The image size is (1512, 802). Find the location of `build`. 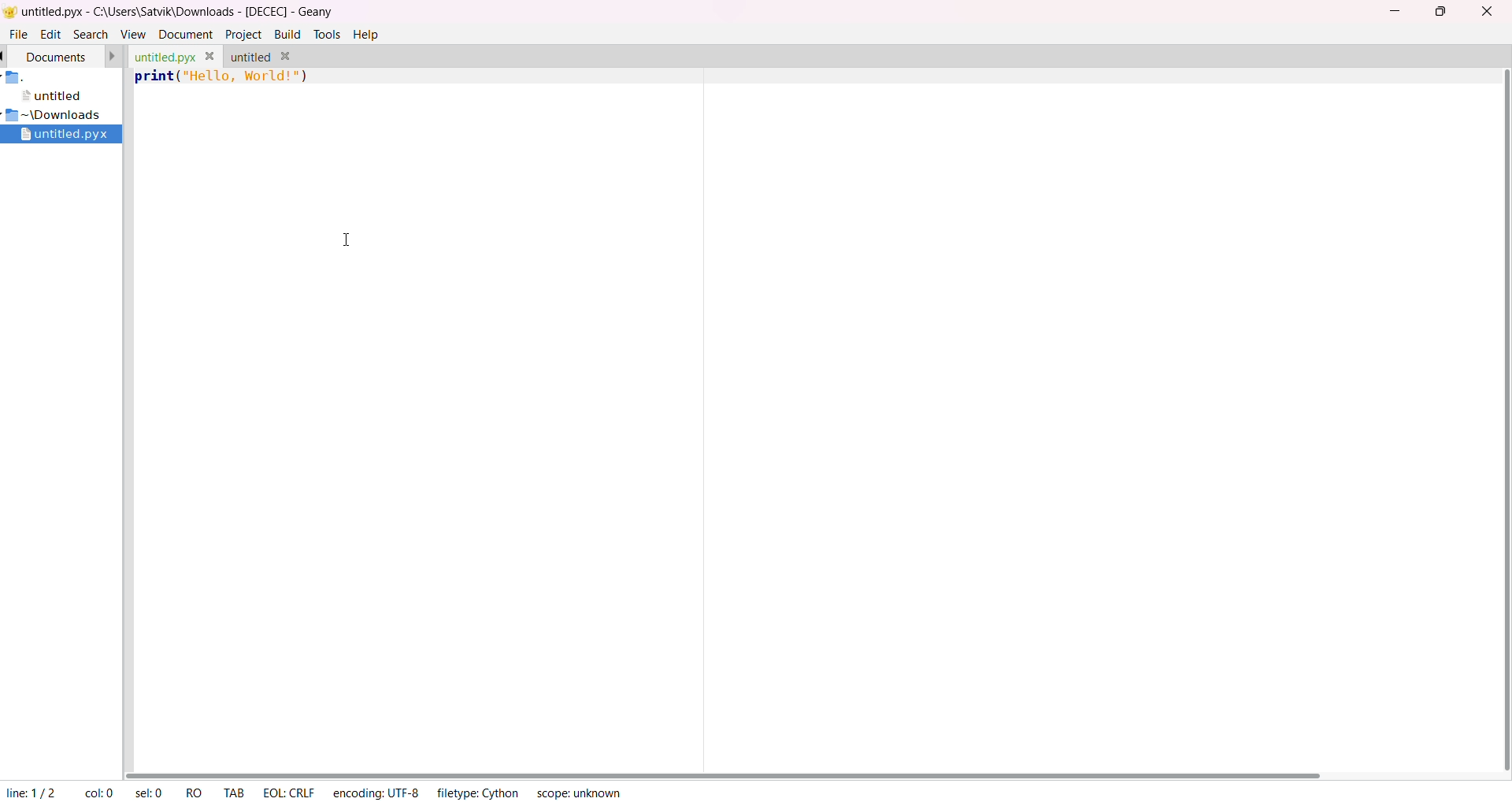

build is located at coordinates (288, 35).